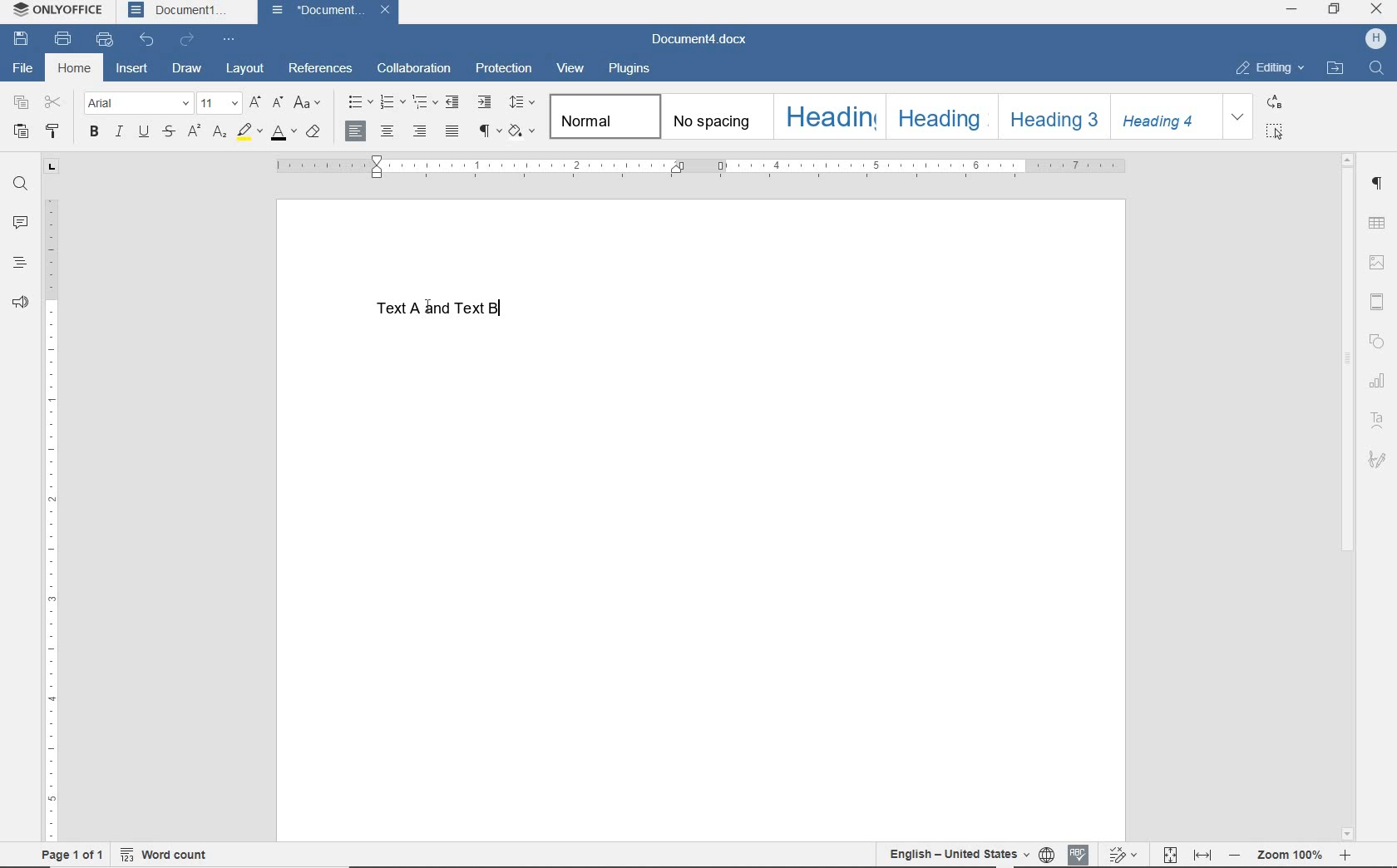 Image resolution: width=1397 pixels, height=868 pixels. I want to click on BULLETS, so click(358, 101).